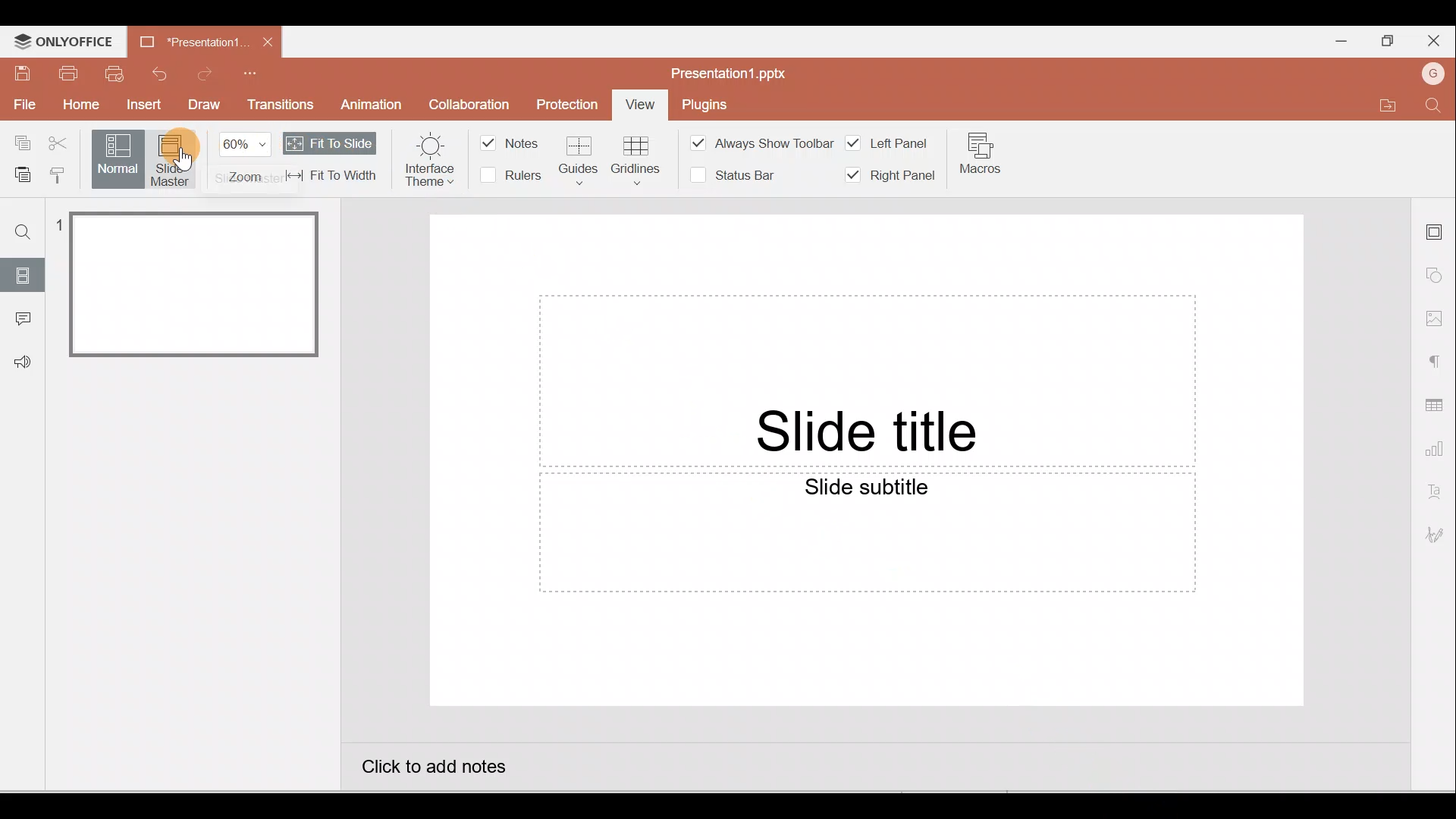 The width and height of the screenshot is (1456, 819). Describe the element at coordinates (1436, 74) in the screenshot. I see `Account name` at that location.